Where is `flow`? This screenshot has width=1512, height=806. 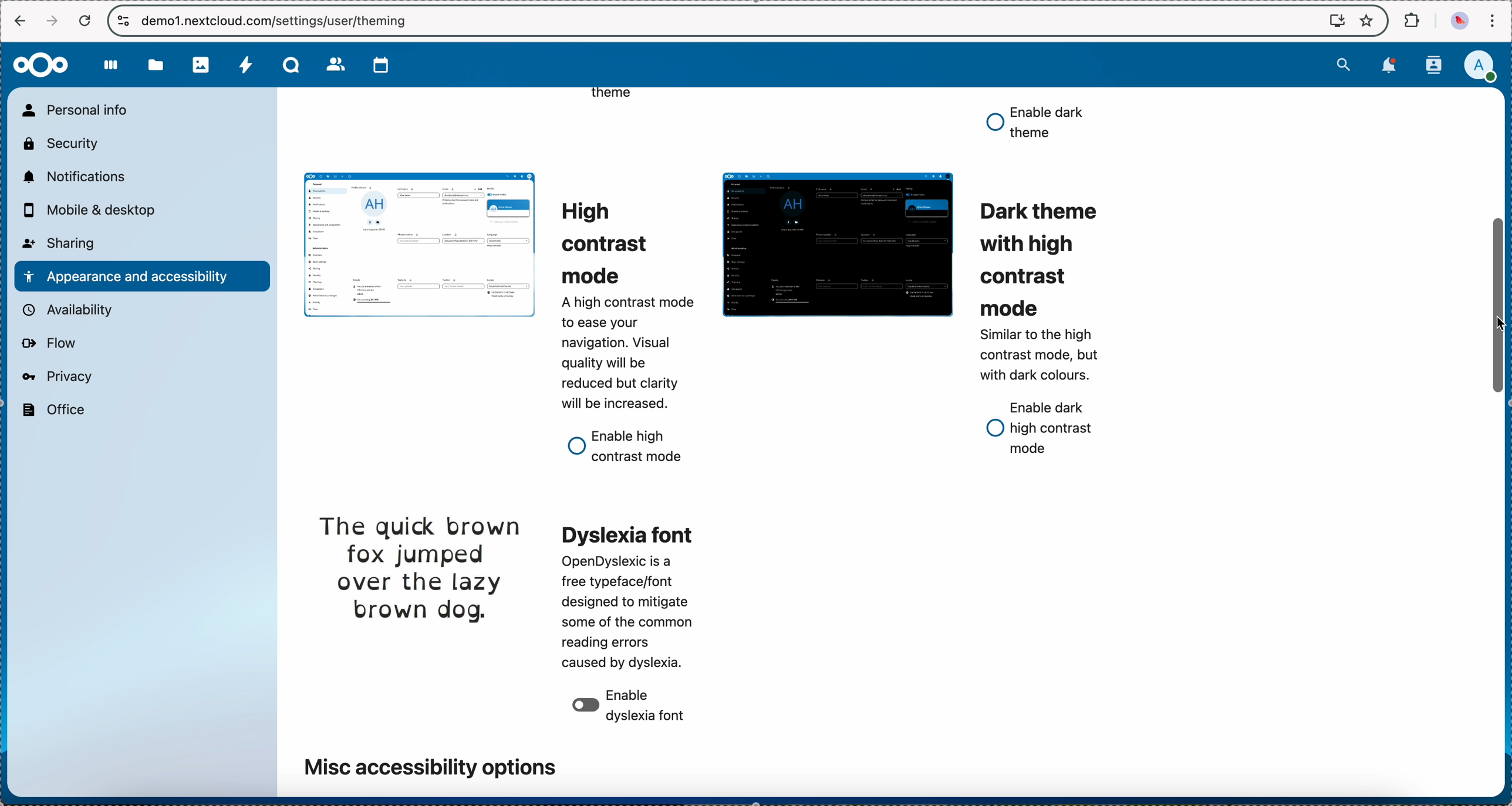 flow is located at coordinates (50, 345).